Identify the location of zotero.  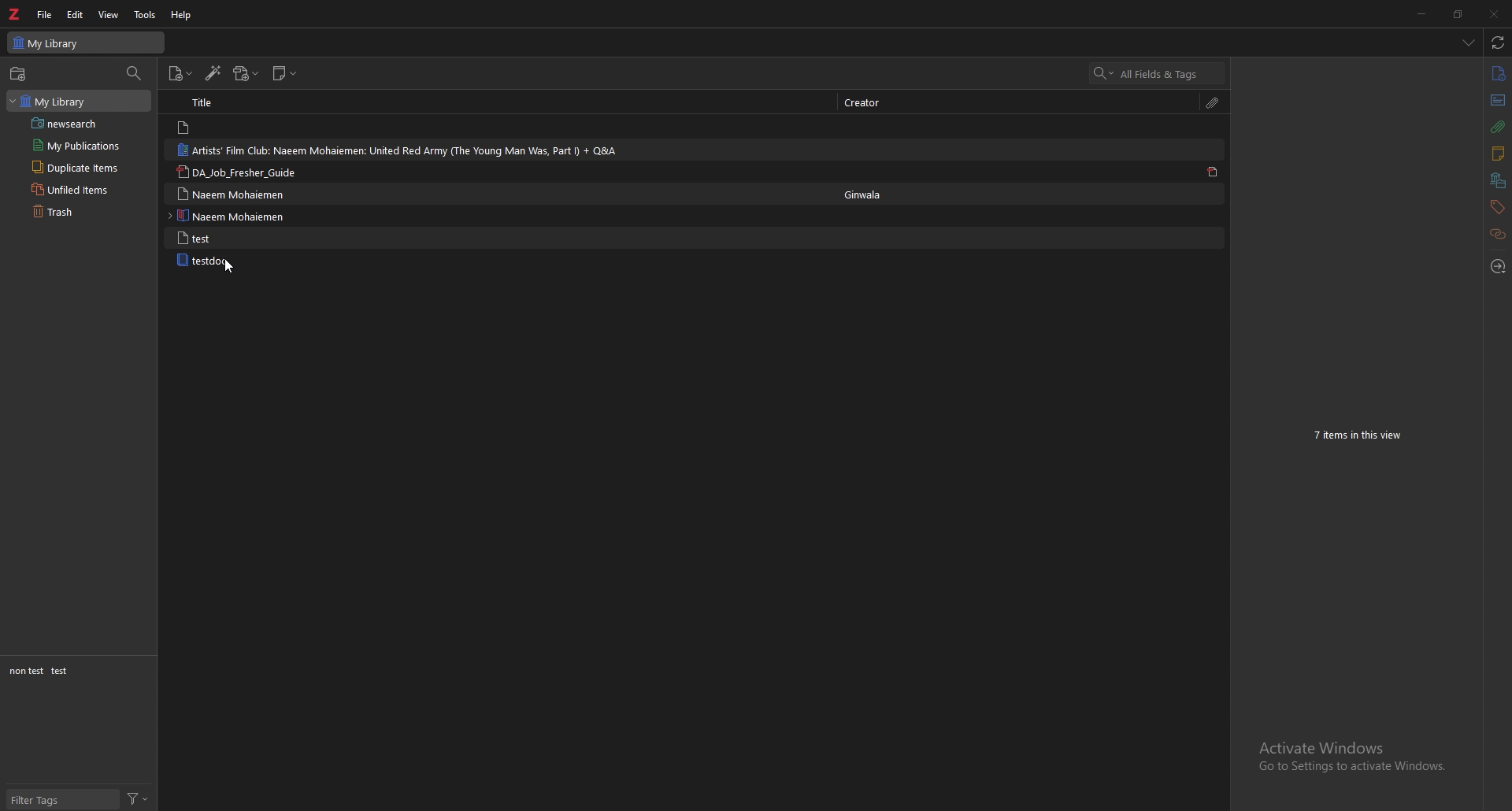
(15, 14).